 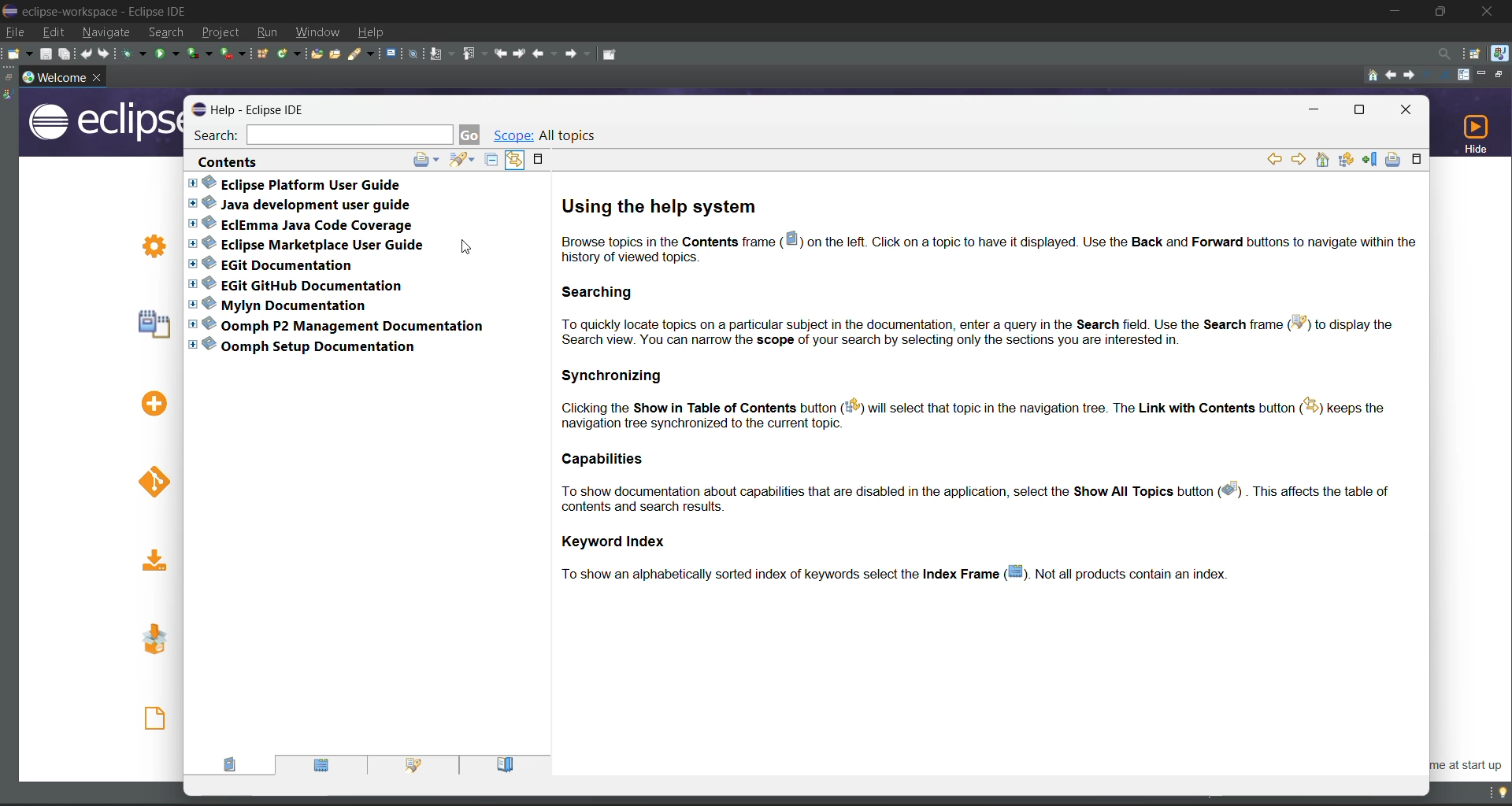 I want to click on searching, so click(x=988, y=322).